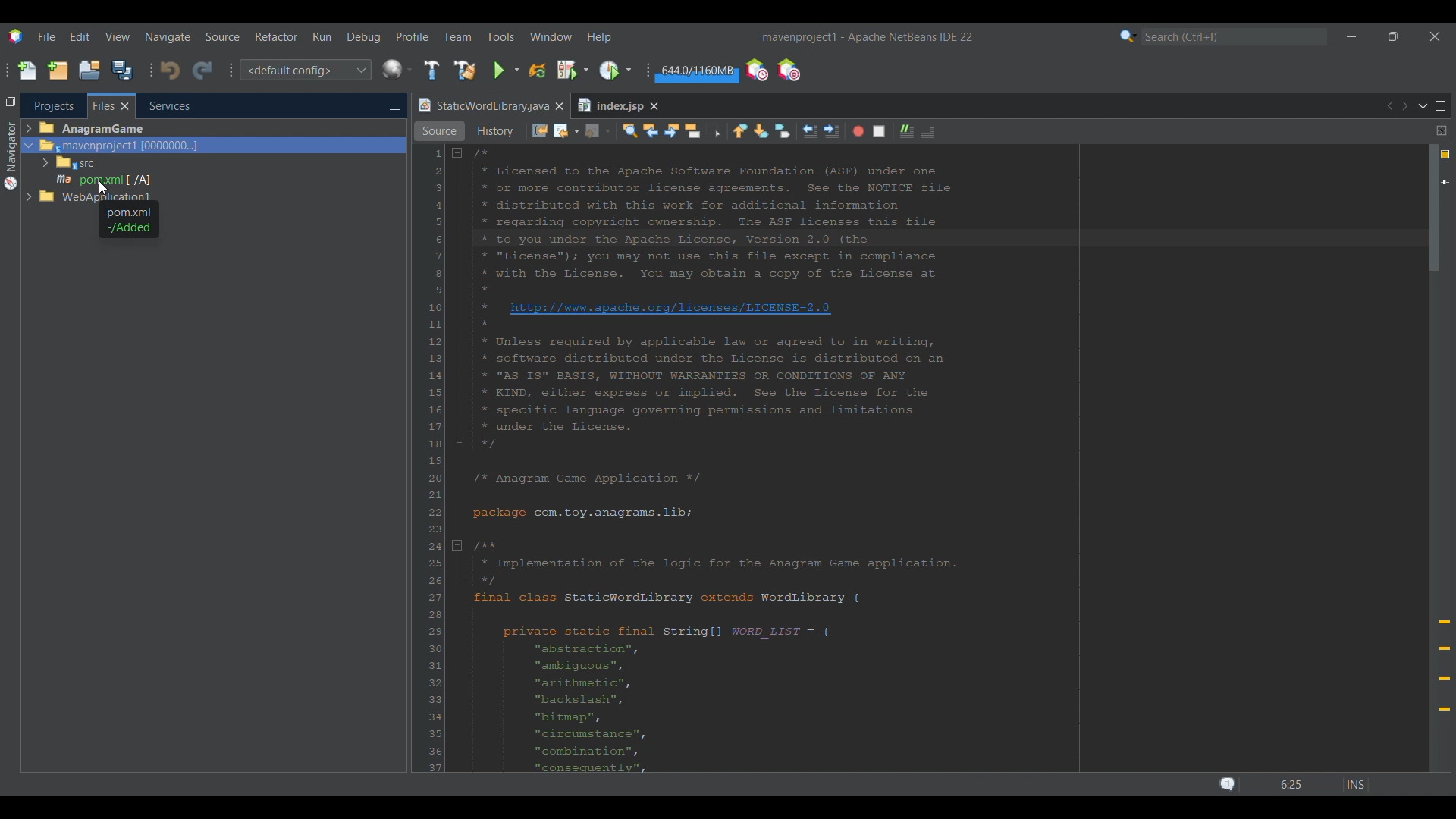 The image size is (1456, 819). What do you see at coordinates (129, 220) in the screenshot?
I see `Description of selected file` at bounding box center [129, 220].